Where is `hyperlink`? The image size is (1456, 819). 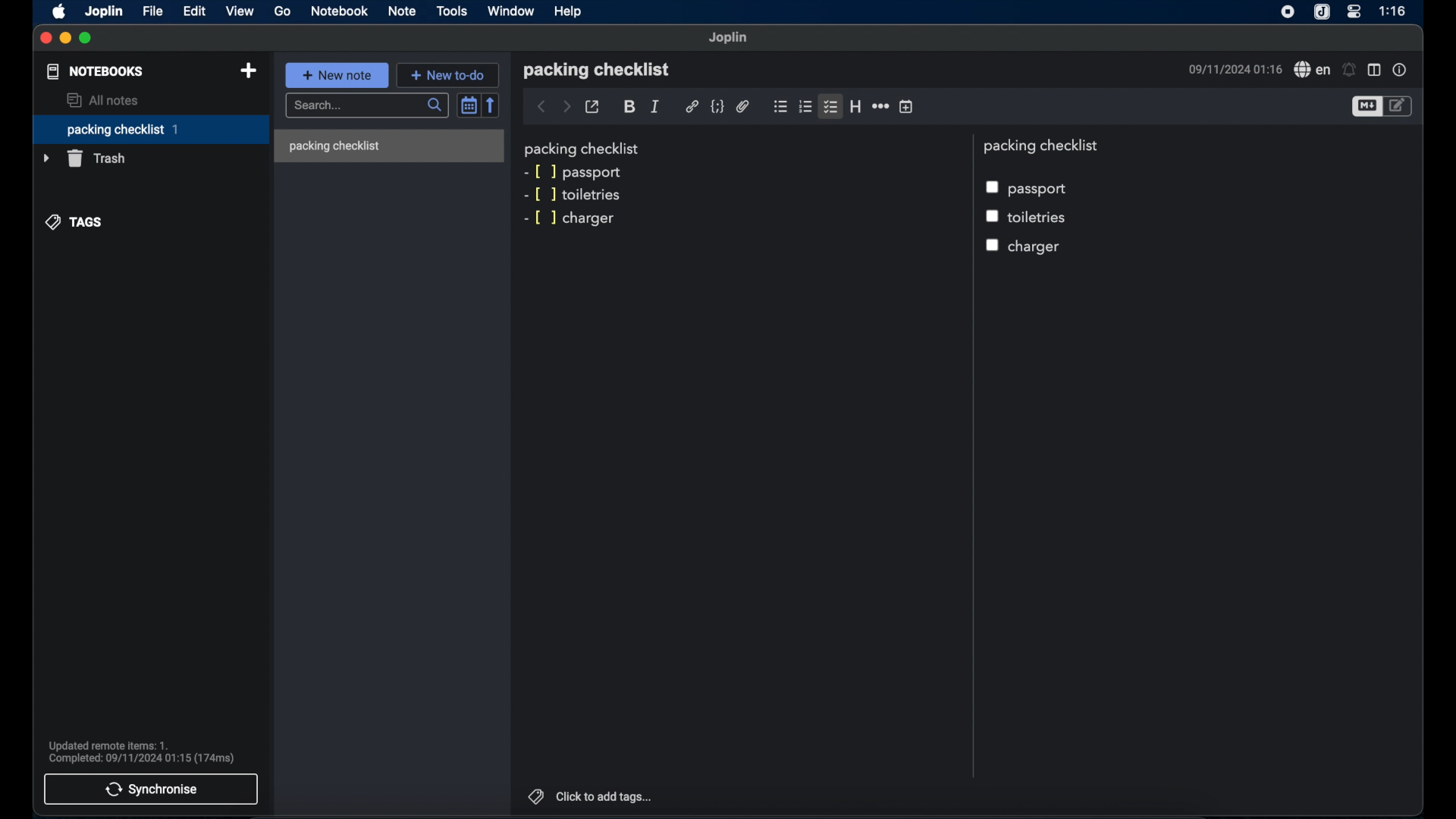
hyperlink is located at coordinates (692, 107).